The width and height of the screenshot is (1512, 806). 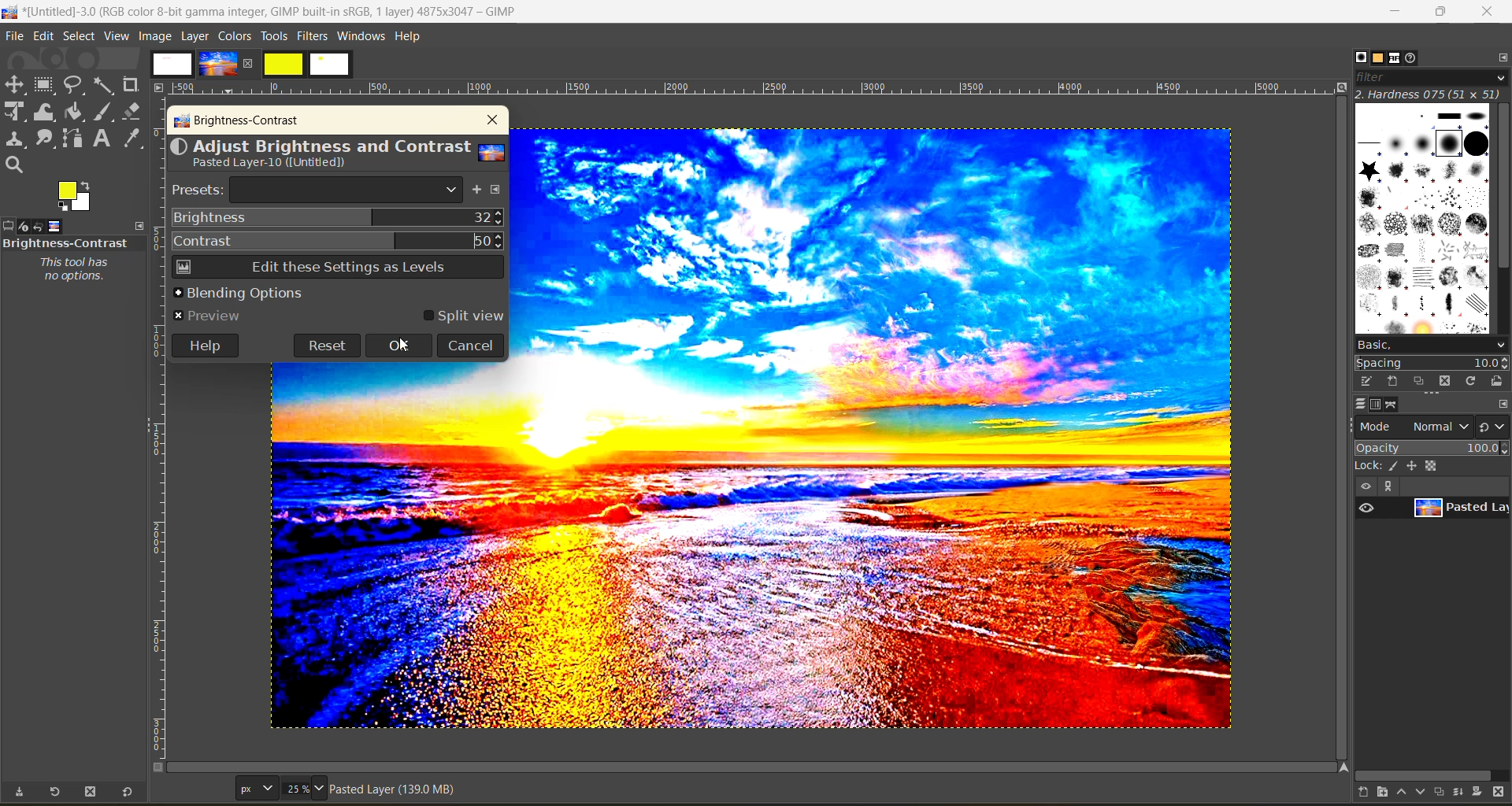 I want to click on brushes, so click(x=1361, y=57).